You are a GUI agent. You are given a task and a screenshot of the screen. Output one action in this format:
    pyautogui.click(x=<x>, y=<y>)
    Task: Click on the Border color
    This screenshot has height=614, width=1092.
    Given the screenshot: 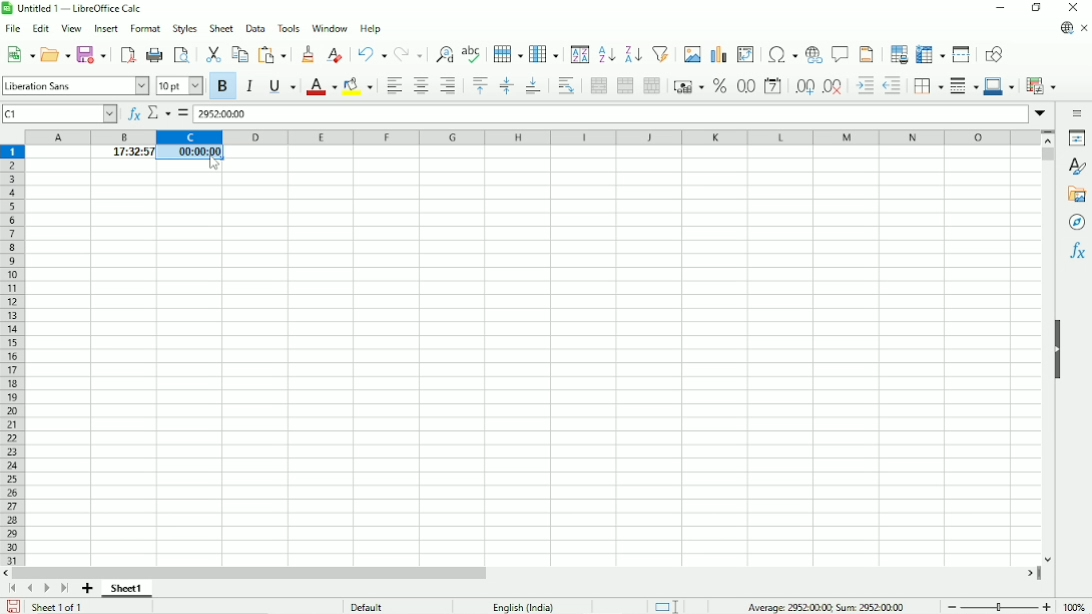 What is the action you would take?
    pyautogui.click(x=1000, y=87)
    